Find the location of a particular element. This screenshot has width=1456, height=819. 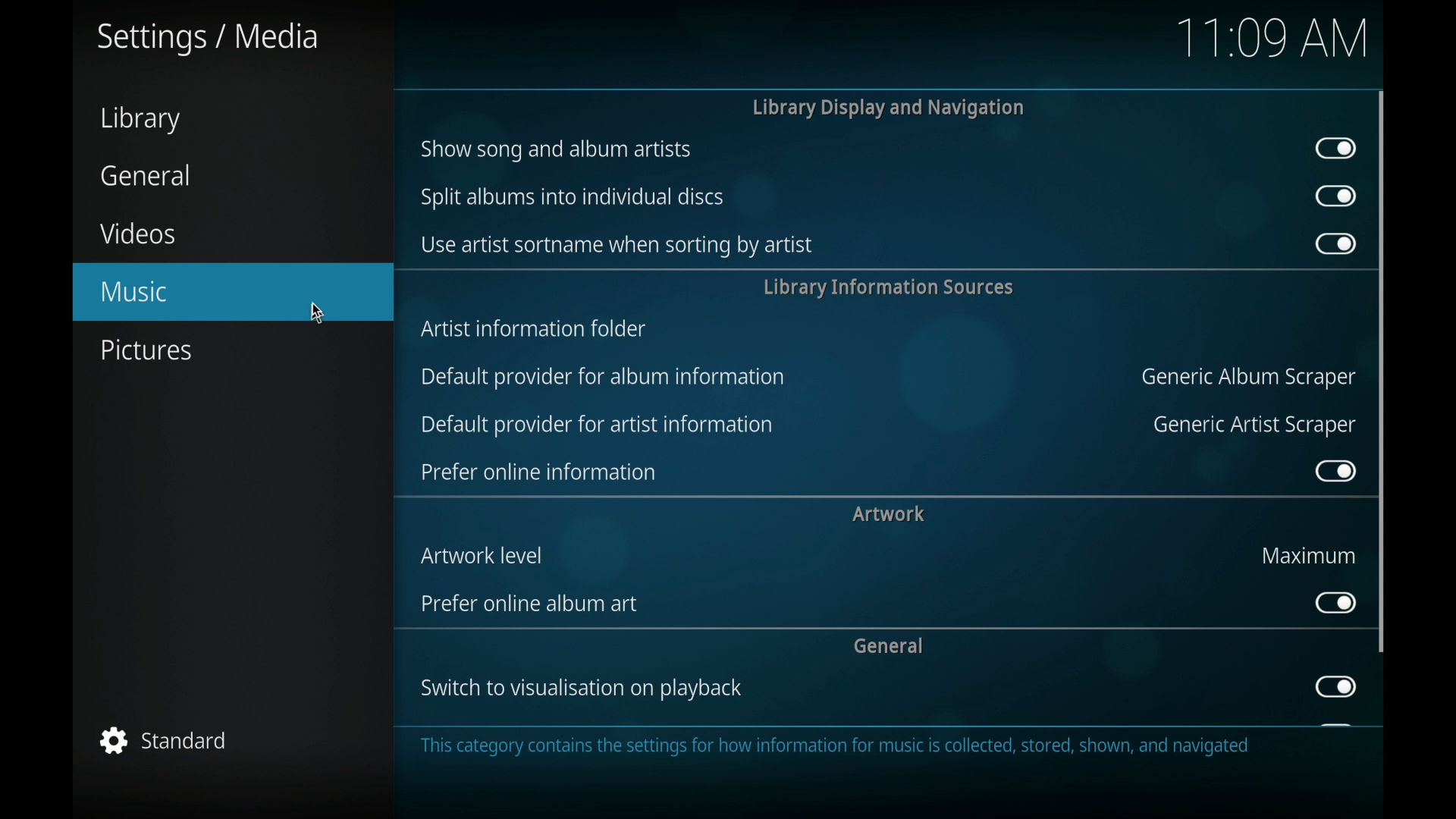

videos is located at coordinates (138, 233).